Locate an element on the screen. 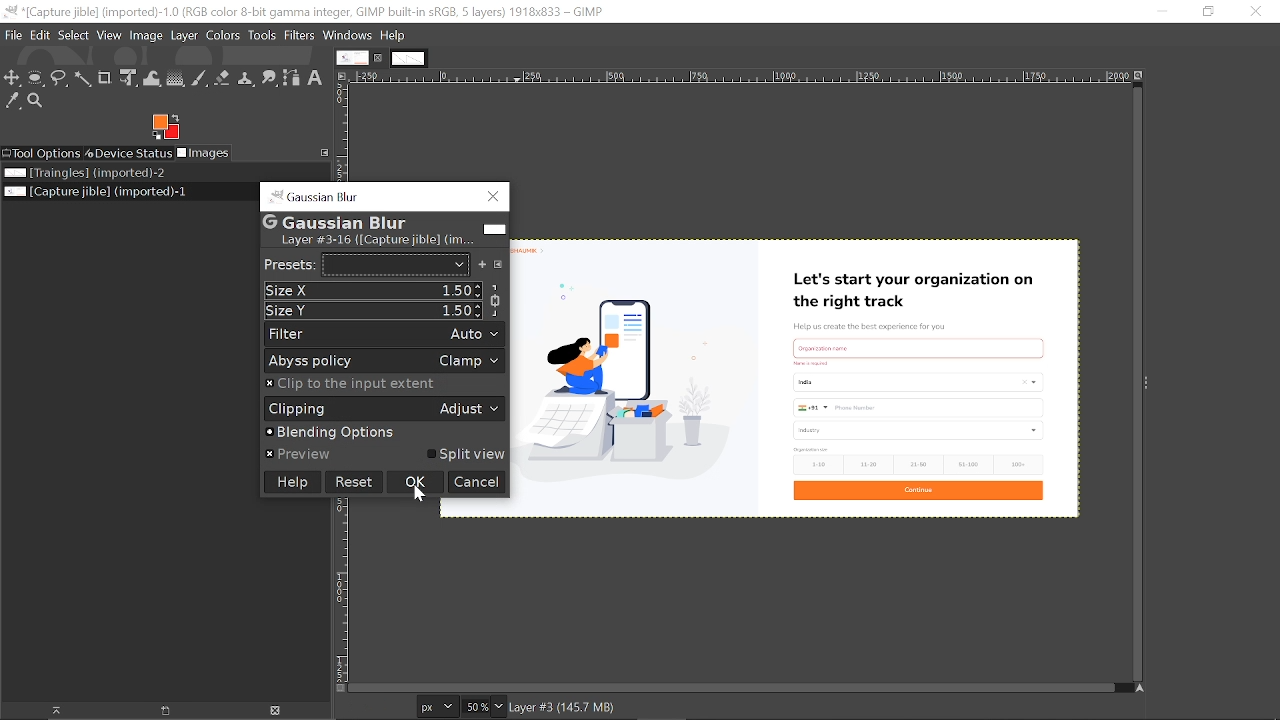  Help is located at coordinates (290, 483).